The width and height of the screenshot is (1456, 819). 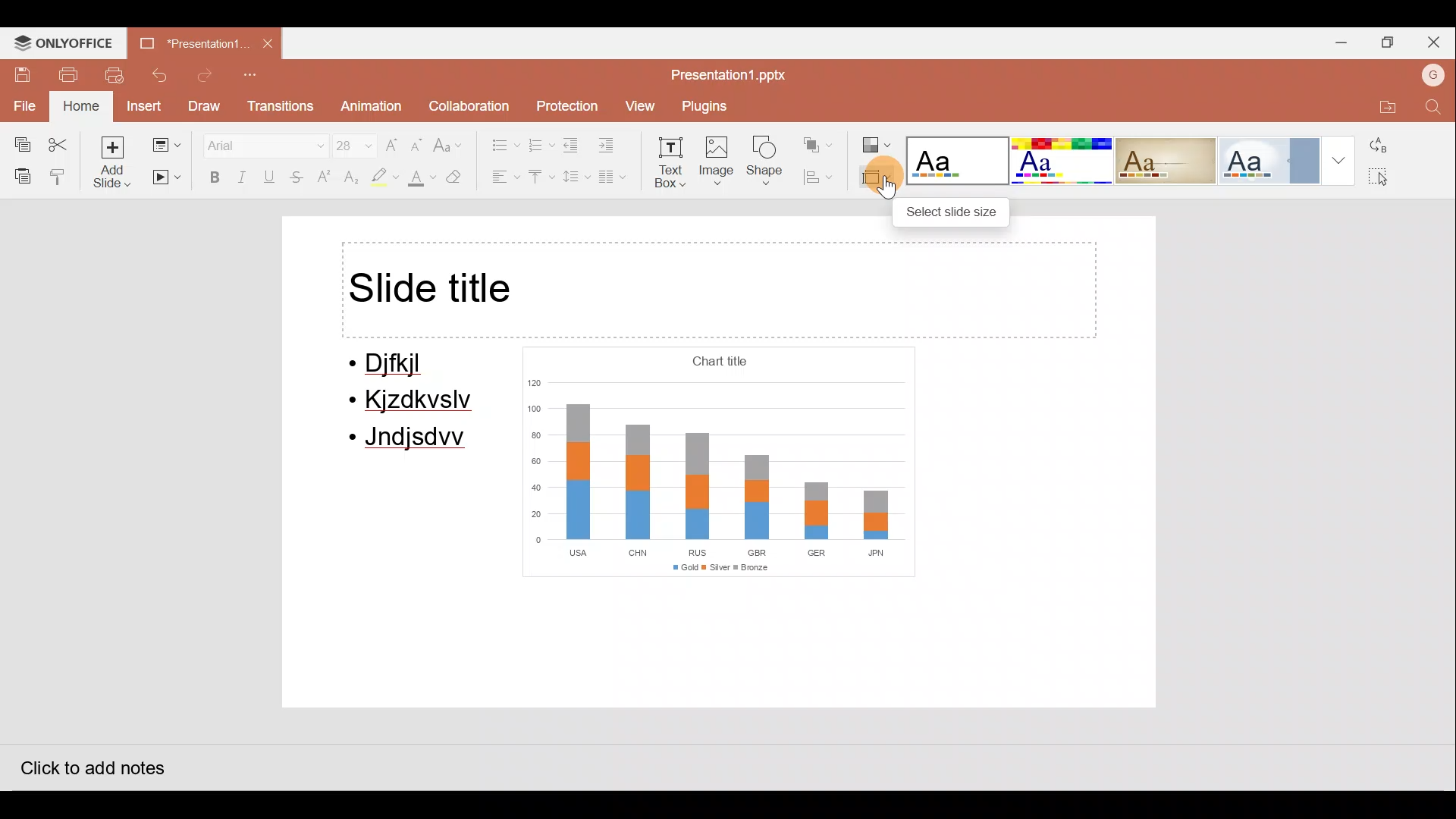 I want to click on Customize quick access toolbar, so click(x=254, y=76).